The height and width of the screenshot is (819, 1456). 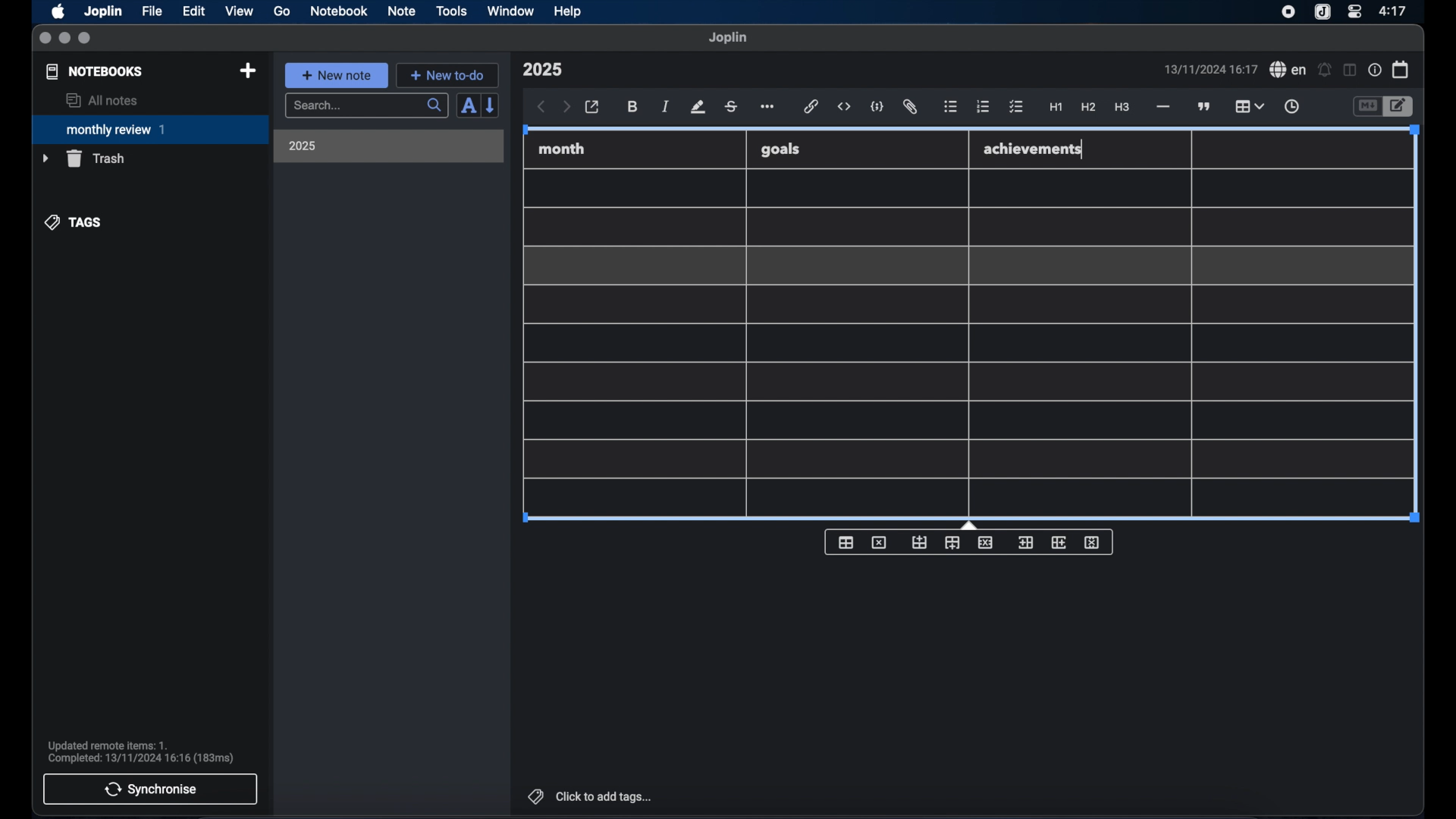 I want to click on inline code, so click(x=844, y=107).